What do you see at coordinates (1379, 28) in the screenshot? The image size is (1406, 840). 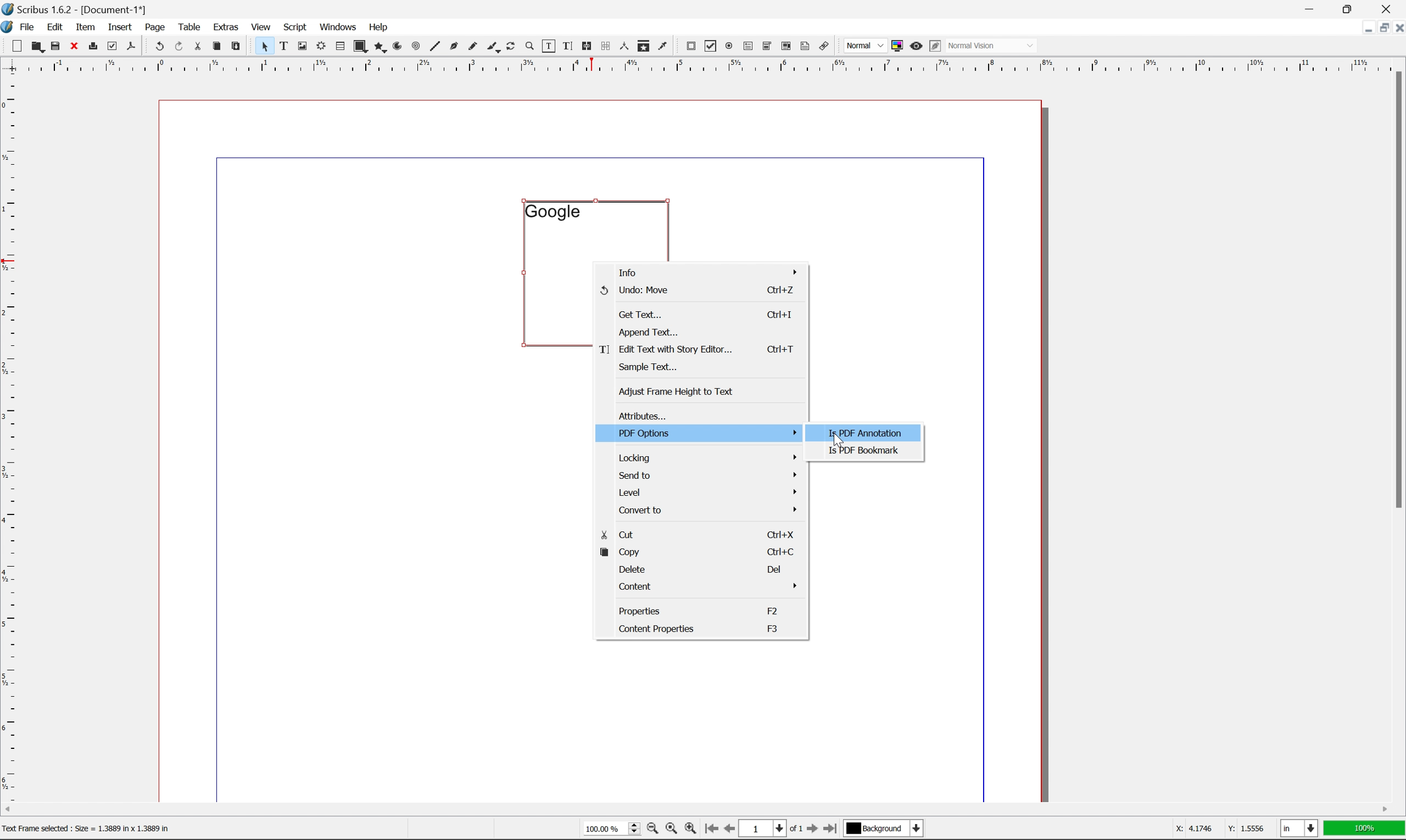 I see `restore down` at bounding box center [1379, 28].